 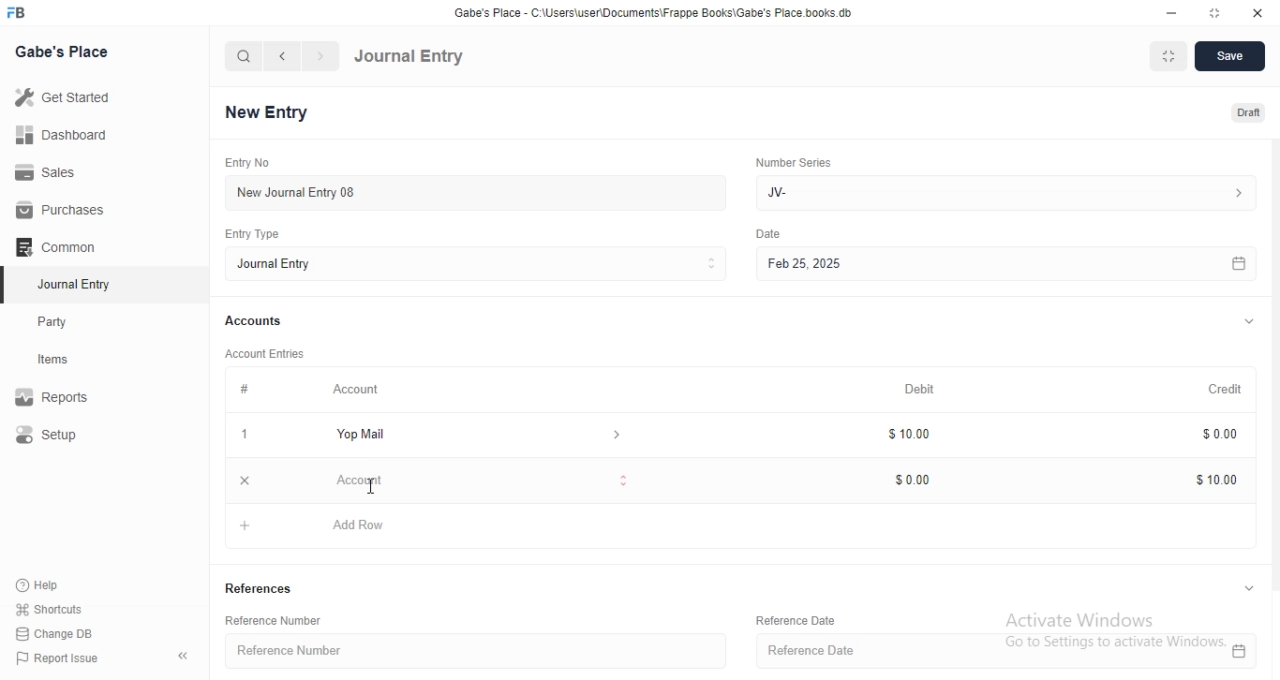 What do you see at coordinates (1242, 590) in the screenshot?
I see `expand/collapse` at bounding box center [1242, 590].